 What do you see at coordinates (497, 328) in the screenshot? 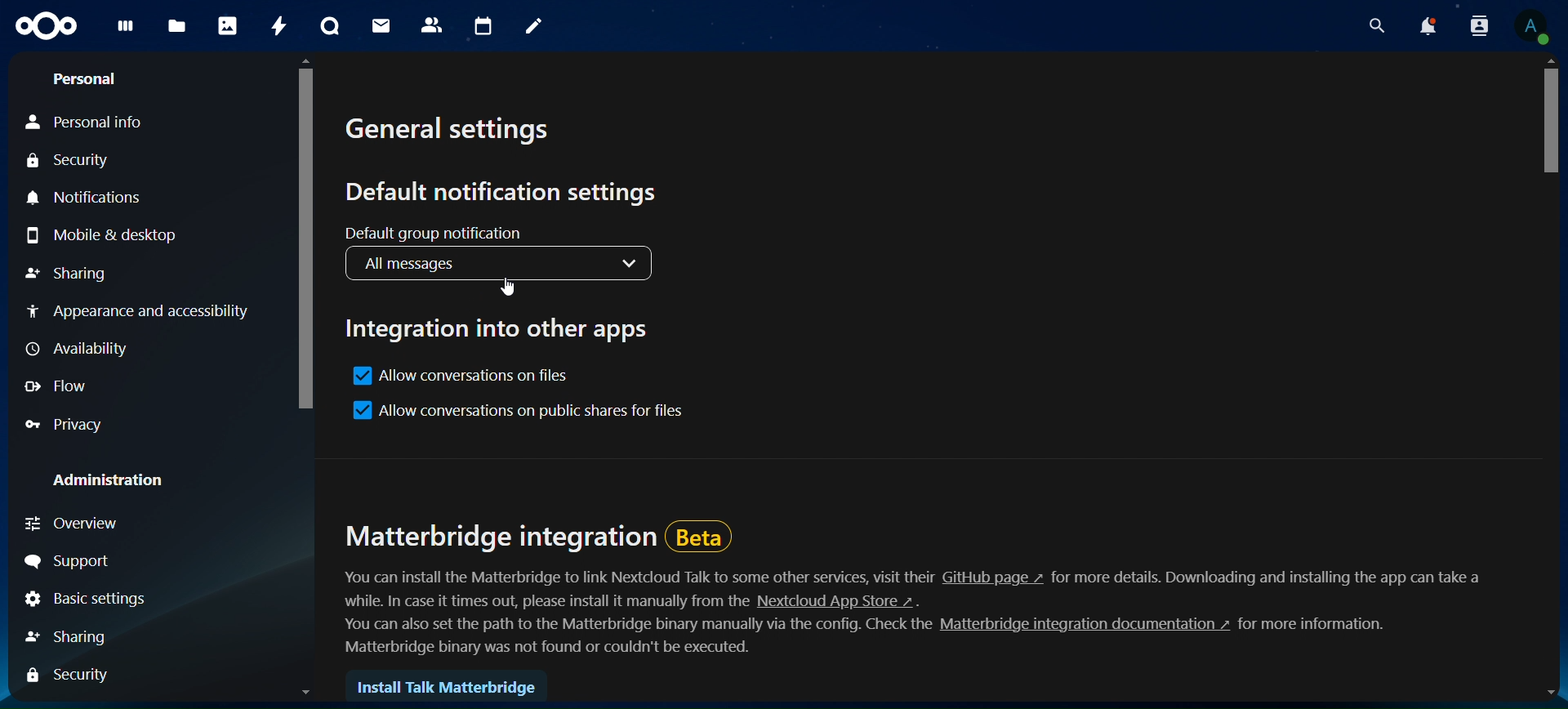
I see `integration into other apps` at bounding box center [497, 328].